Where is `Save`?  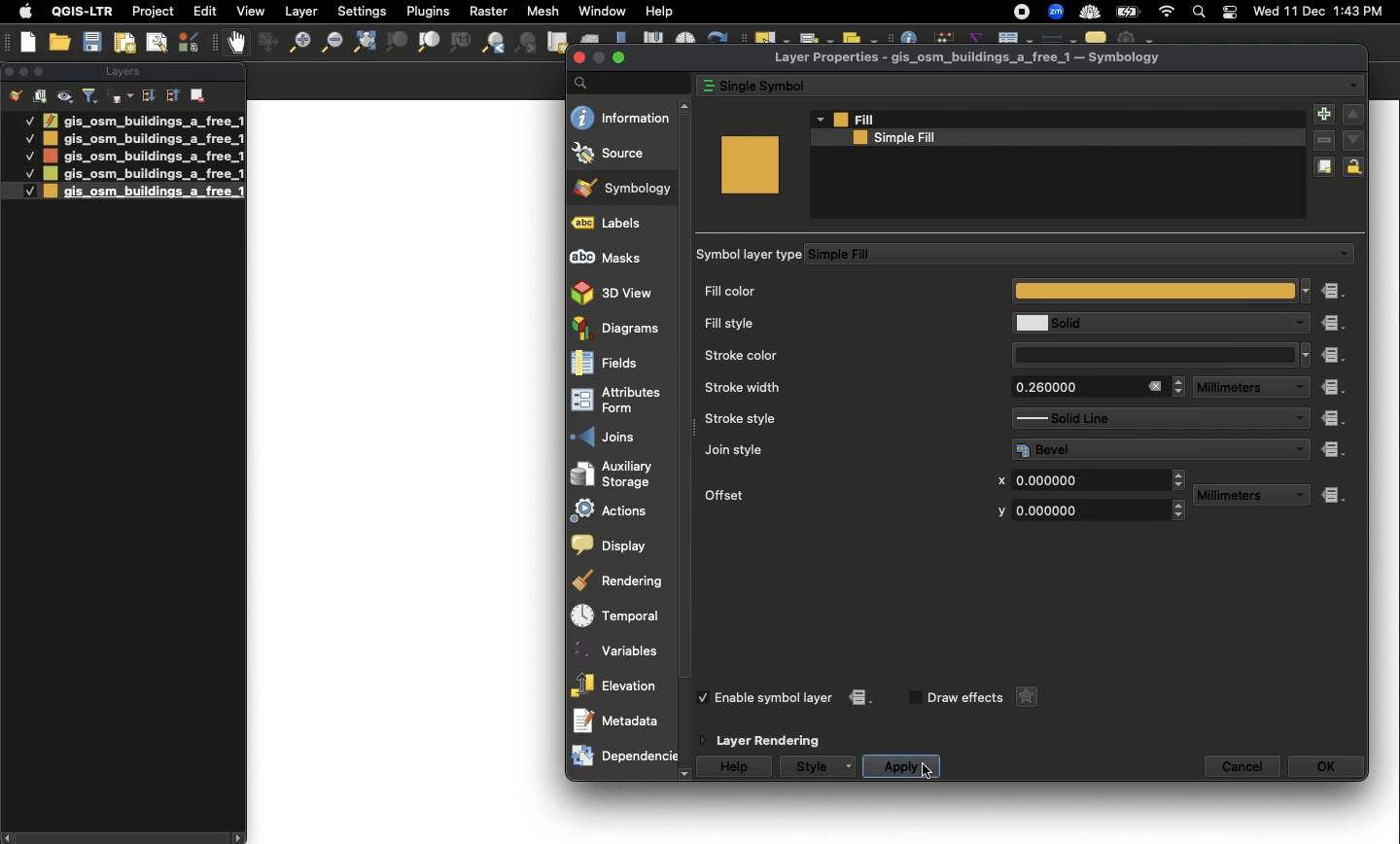 Save is located at coordinates (92, 43).